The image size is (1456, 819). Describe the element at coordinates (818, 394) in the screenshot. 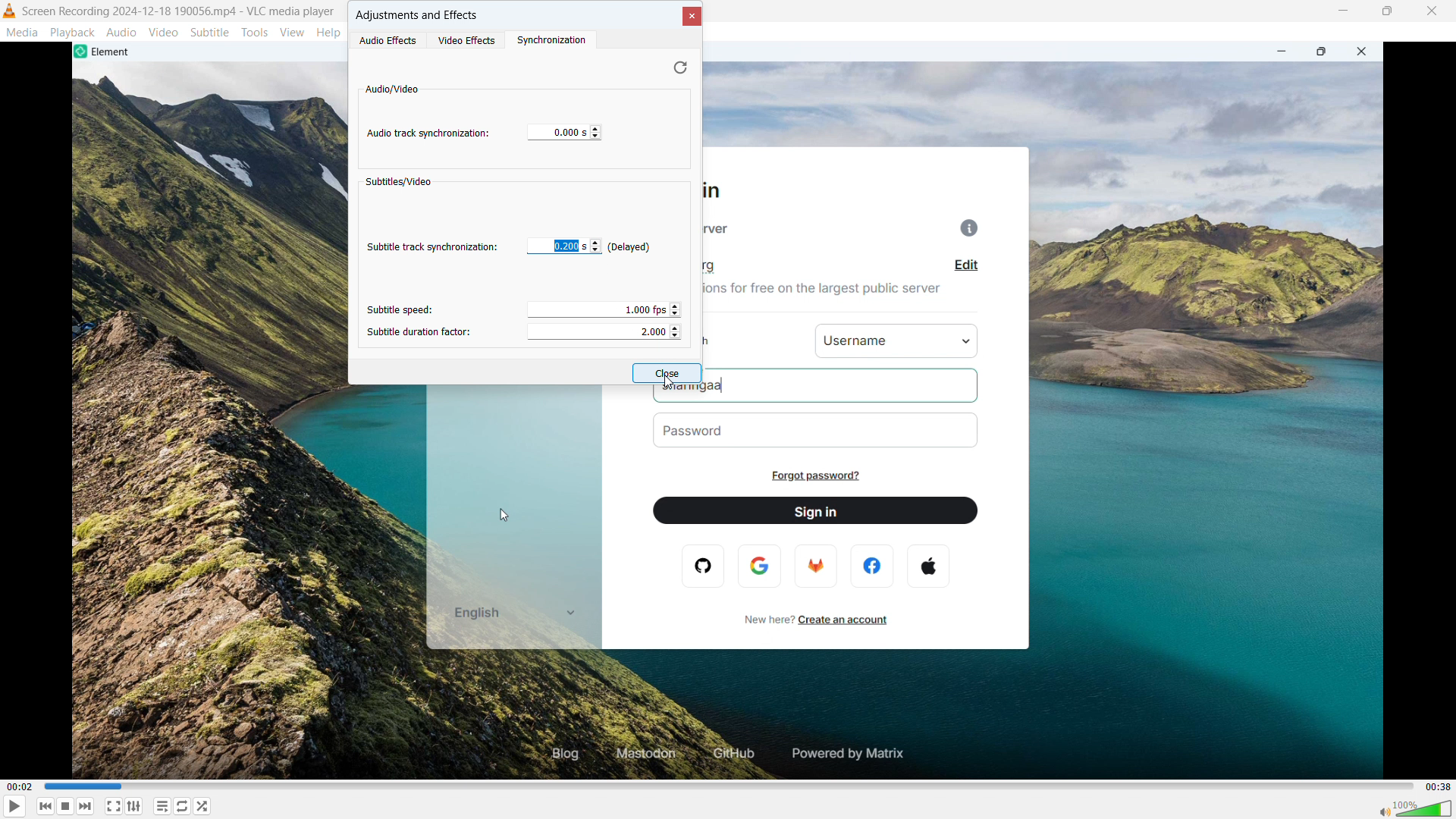

I see `sharingaa` at that location.